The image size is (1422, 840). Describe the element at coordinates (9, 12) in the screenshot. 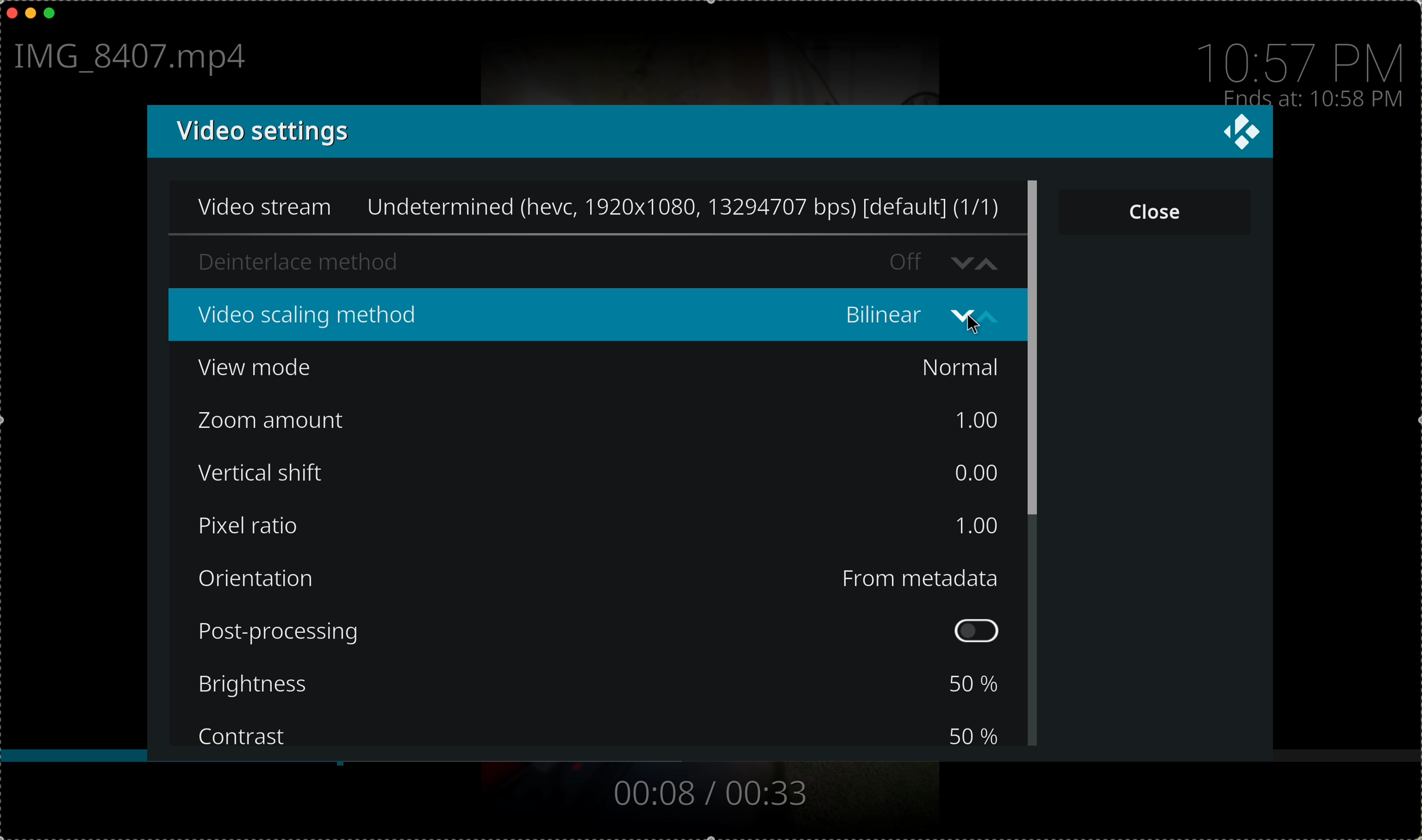

I see `close ` at that location.